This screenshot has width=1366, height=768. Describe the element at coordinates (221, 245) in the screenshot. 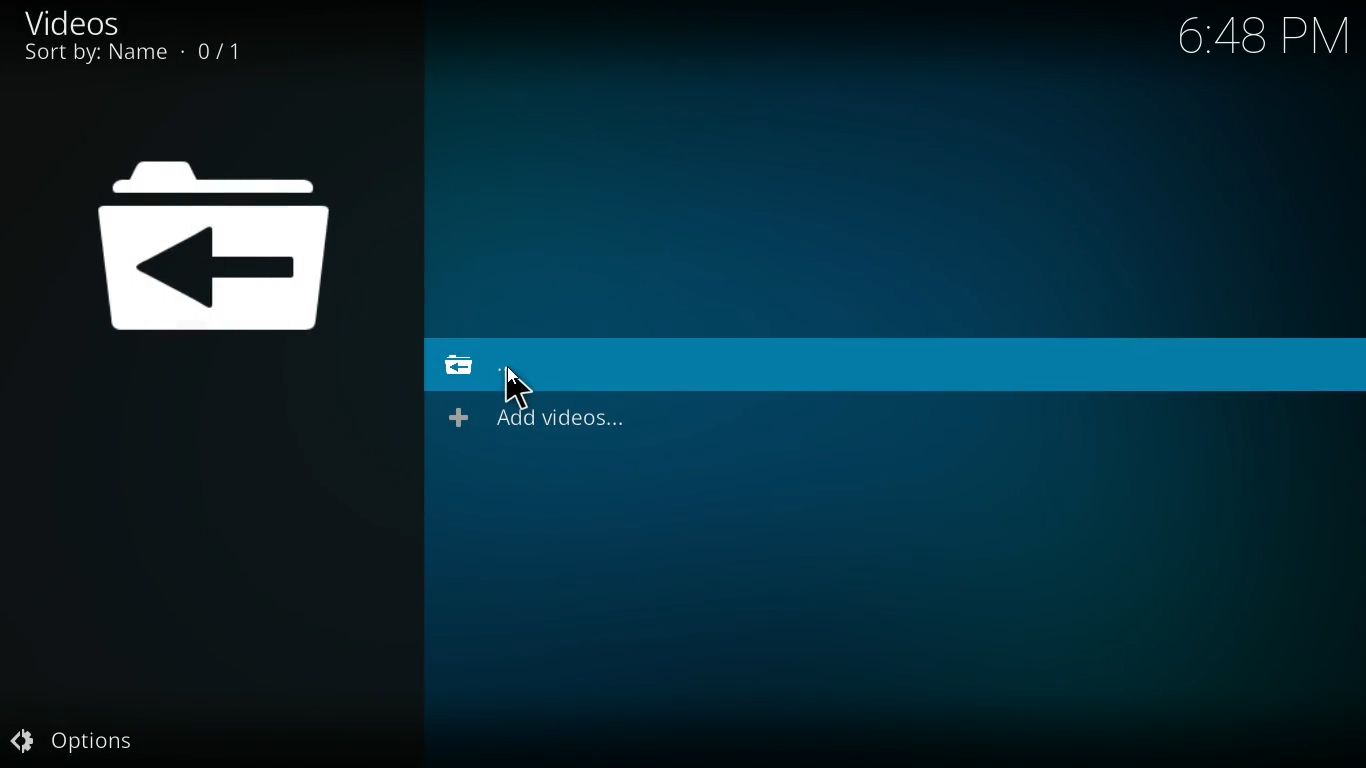

I see `symbol` at that location.